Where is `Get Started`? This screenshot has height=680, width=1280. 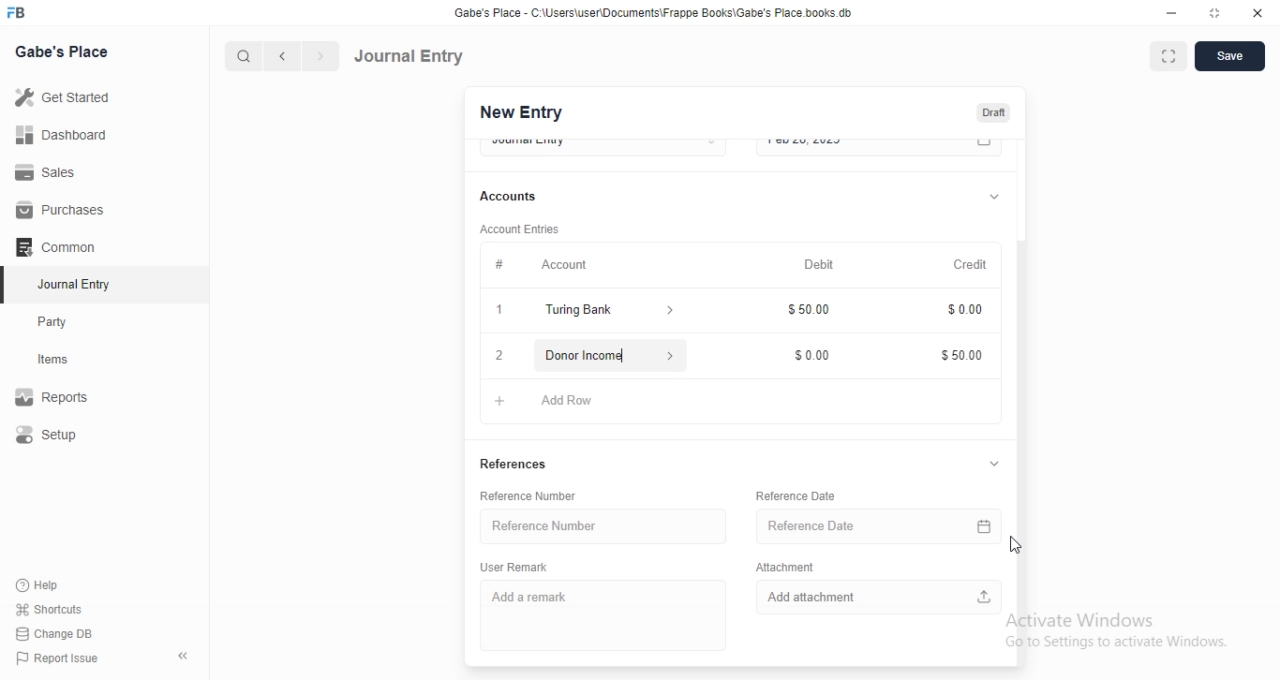 Get Started is located at coordinates (67, 97).